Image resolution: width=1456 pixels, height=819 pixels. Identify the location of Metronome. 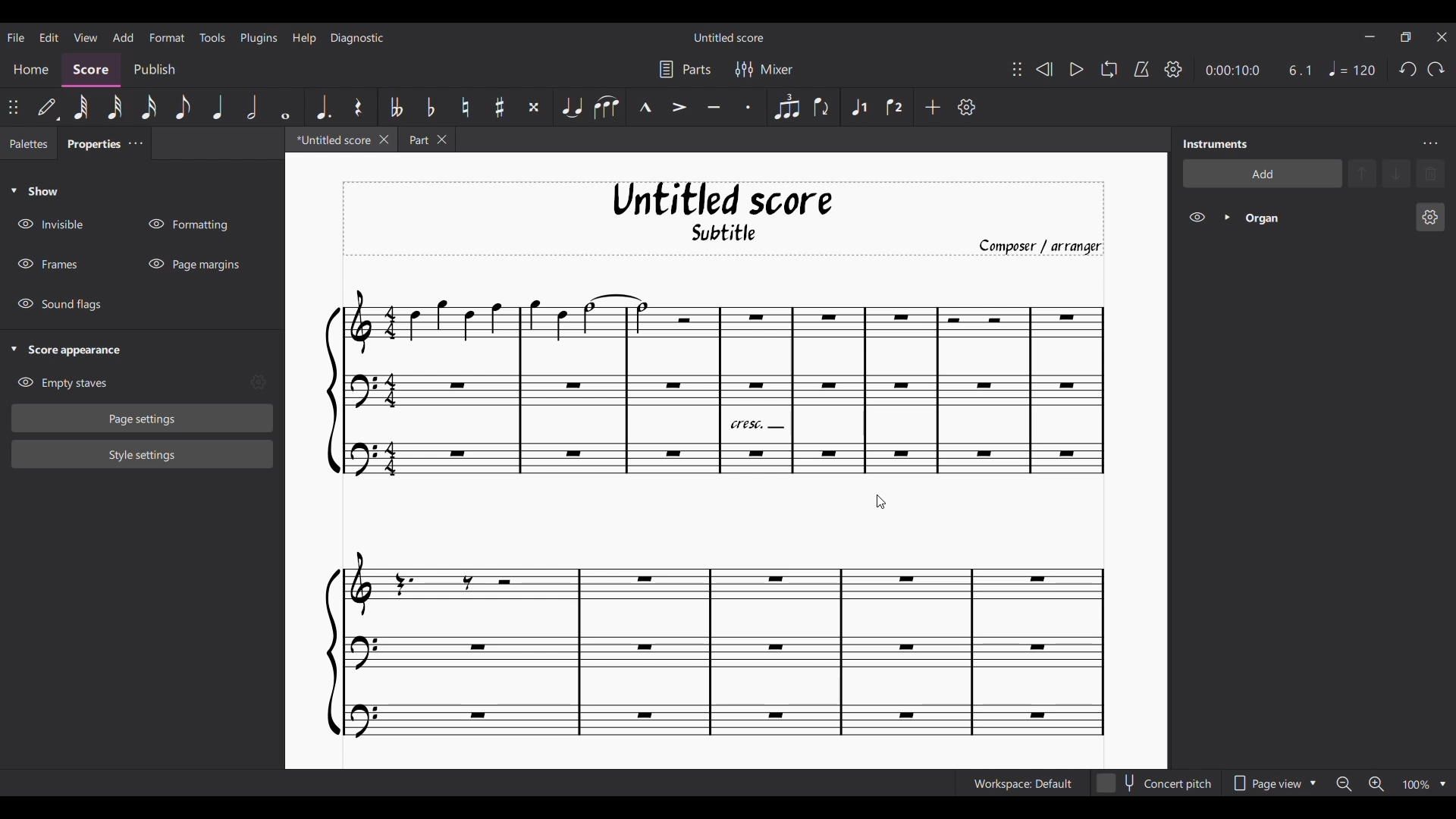
(1141, 70).